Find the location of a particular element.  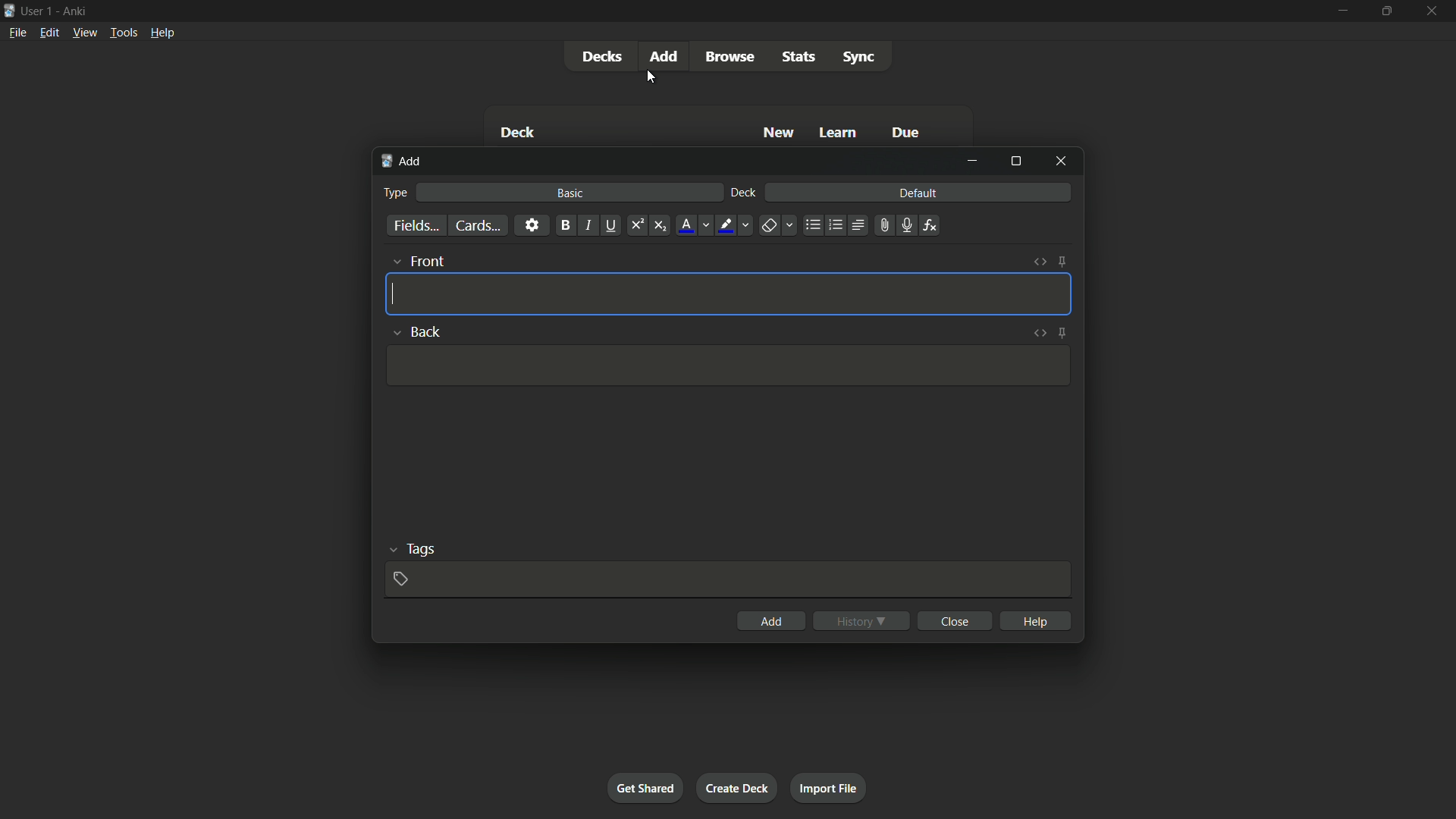

import file is located at coordinates (827, 786).